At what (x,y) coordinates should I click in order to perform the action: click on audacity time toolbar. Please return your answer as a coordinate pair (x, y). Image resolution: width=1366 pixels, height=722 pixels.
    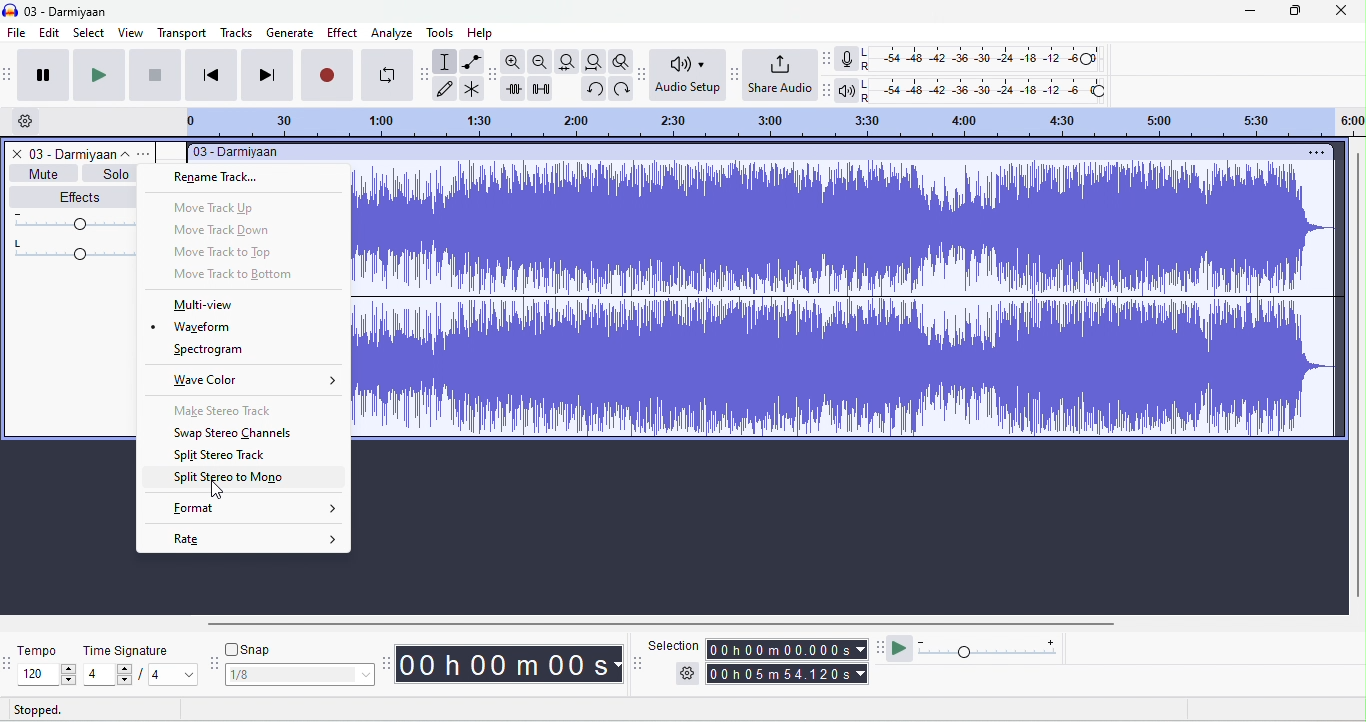
    Looking at the image, I should click on (391, 660).